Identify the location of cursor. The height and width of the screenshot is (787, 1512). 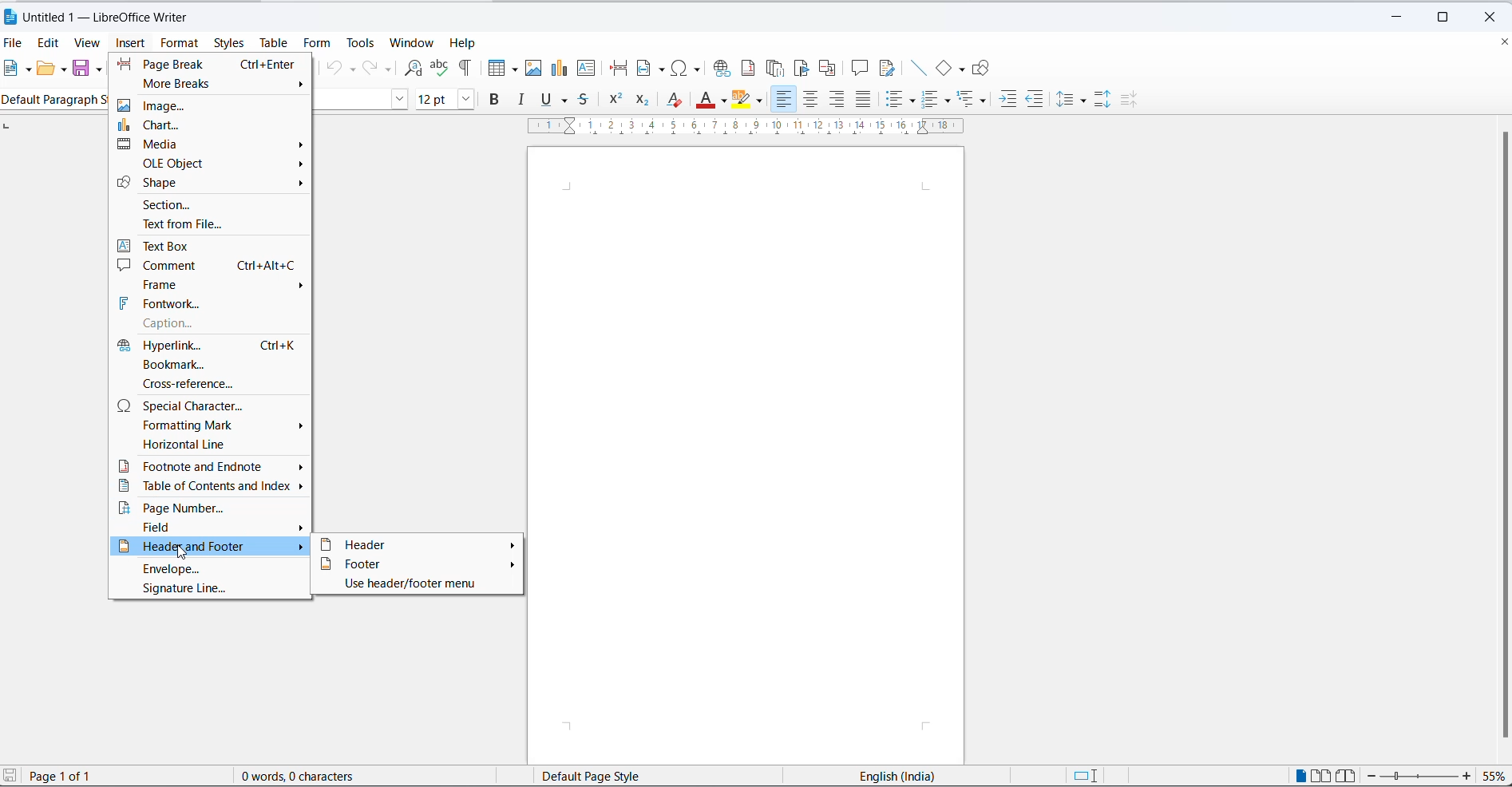
(184, 552).